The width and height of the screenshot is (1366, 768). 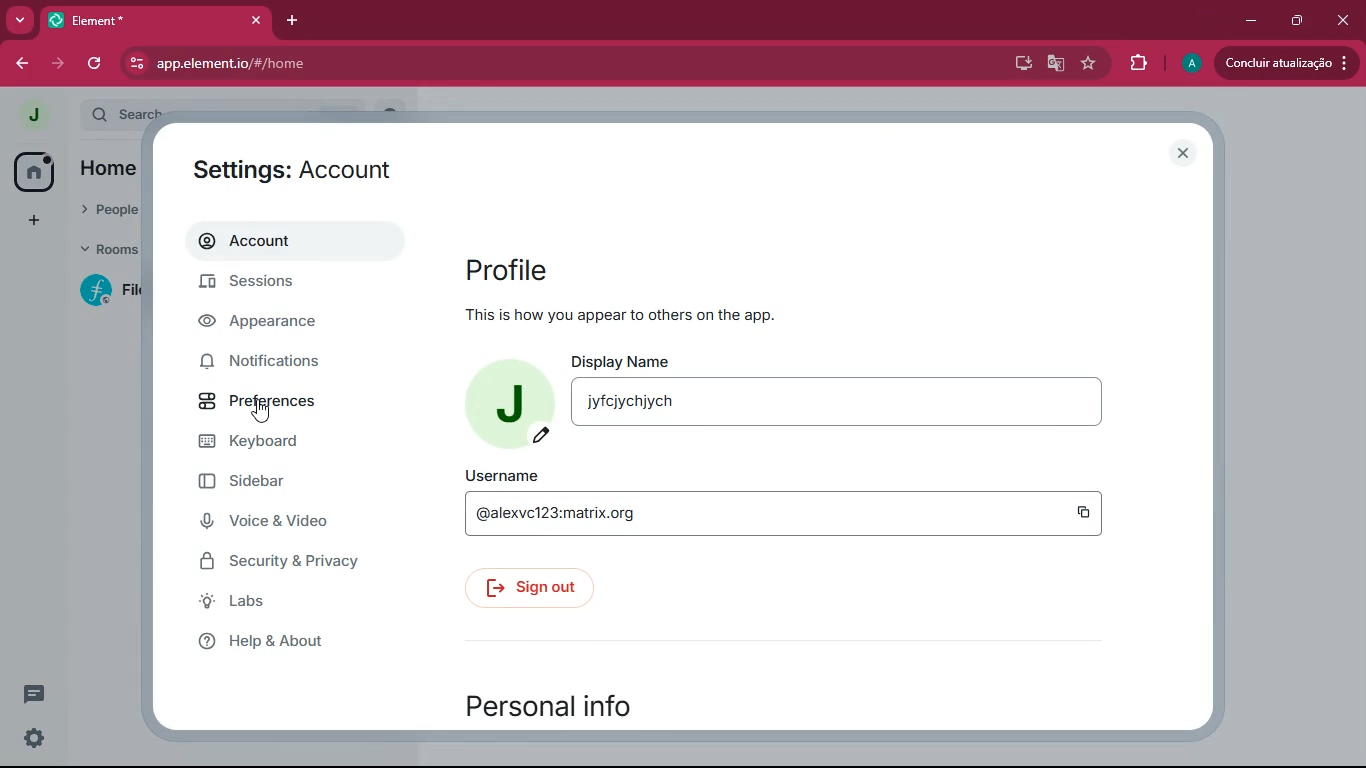 I want to click on preferences, so click(x=277, y=405).